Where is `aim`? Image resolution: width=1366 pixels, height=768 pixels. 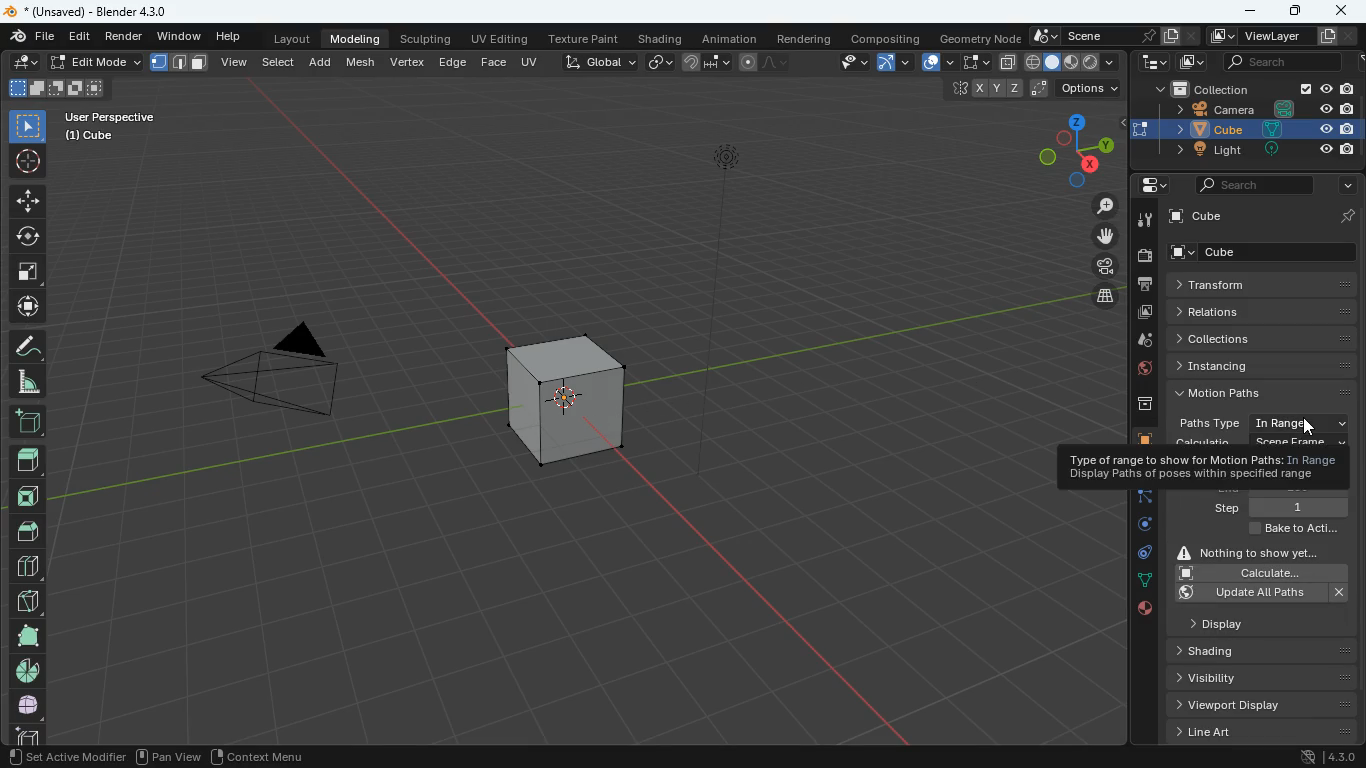 aim is located at coordinates (27, 158).